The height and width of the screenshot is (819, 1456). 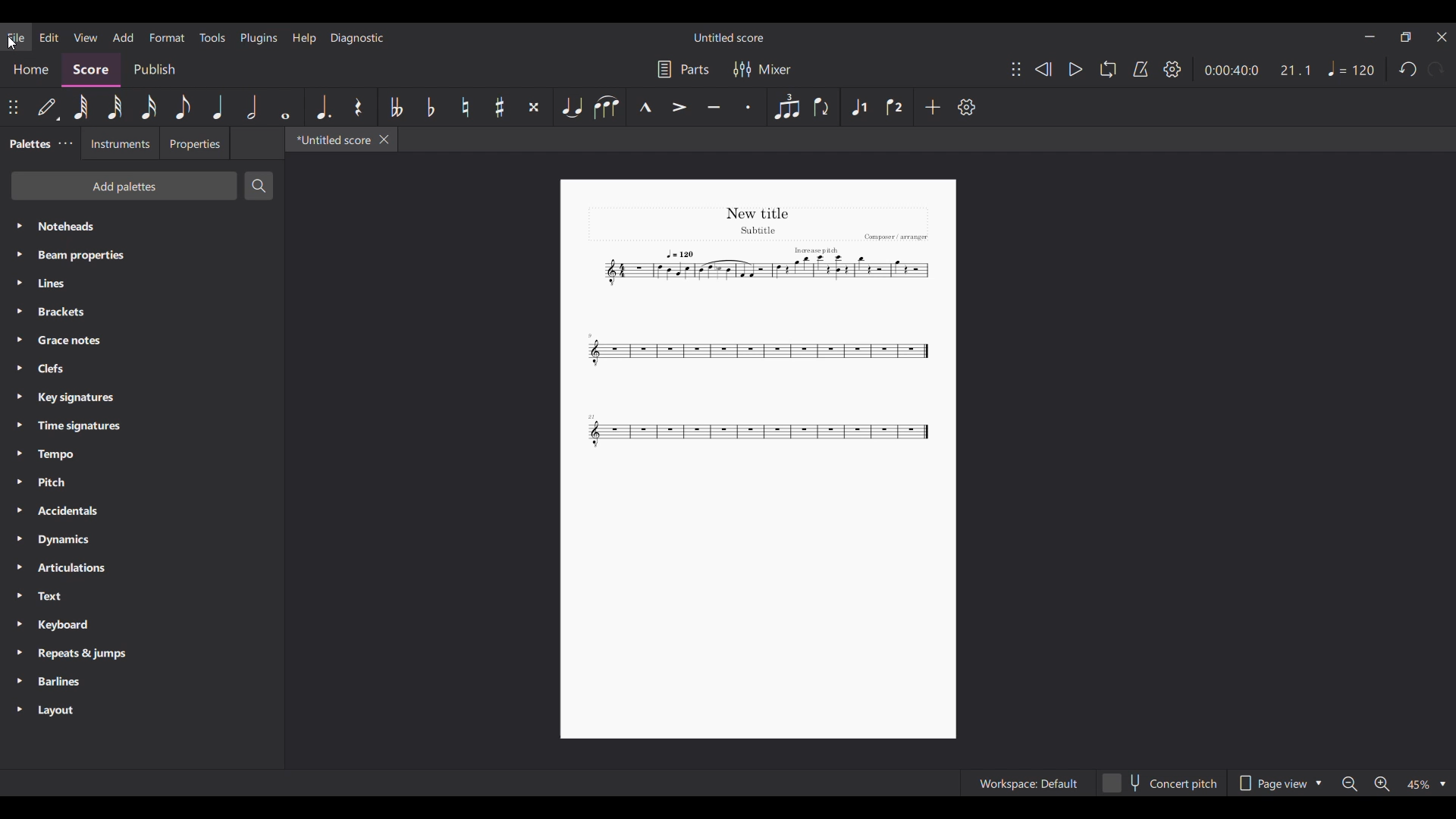 What do you see at coordinates (252, 107) in the screenshot?
I see `Half note` at bounding box center [252, 107].